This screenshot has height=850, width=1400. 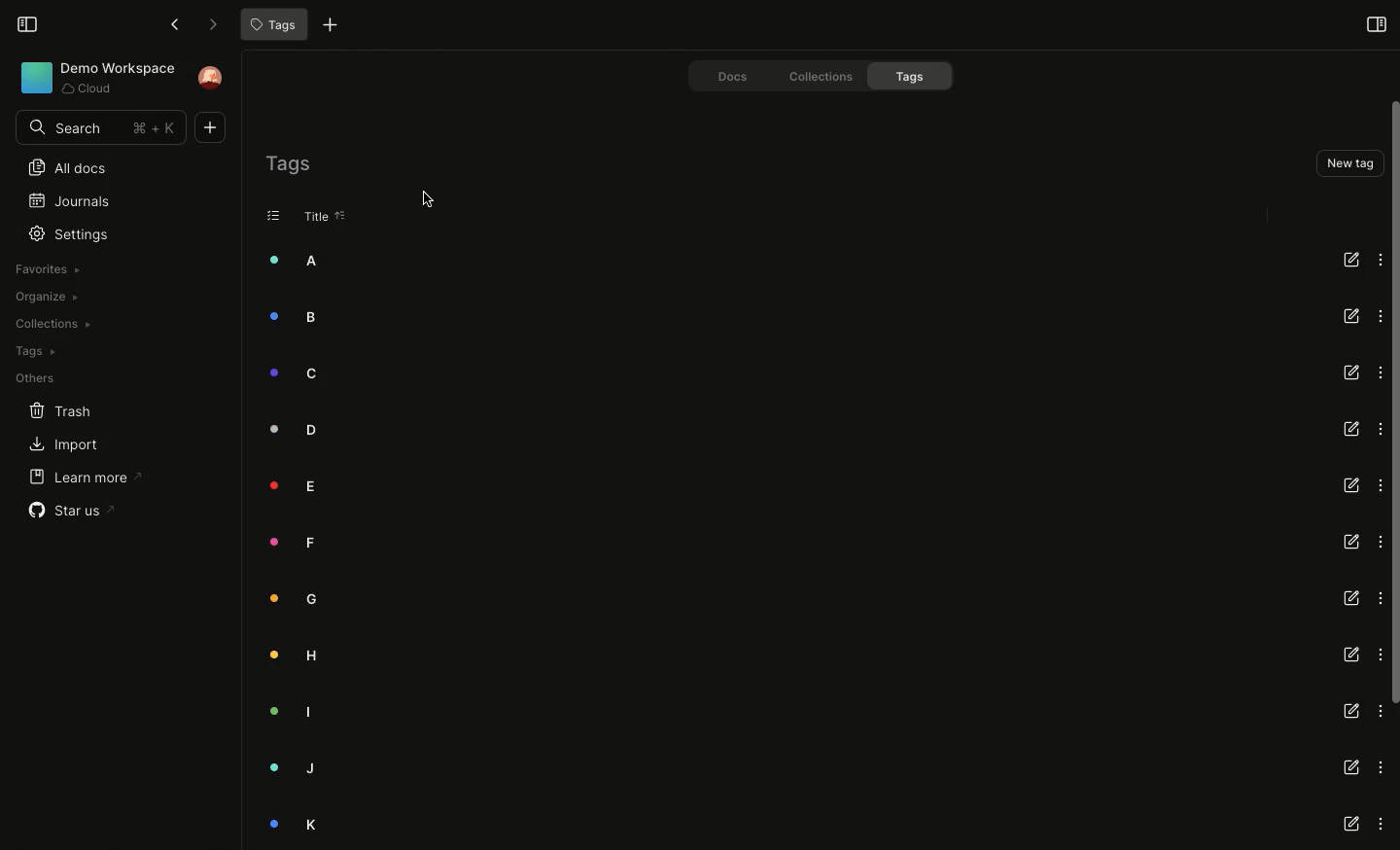 What do you see at coordinates (1349, 655) in the screenshot?
I see `Rename` at bounding box center [1349, 655].